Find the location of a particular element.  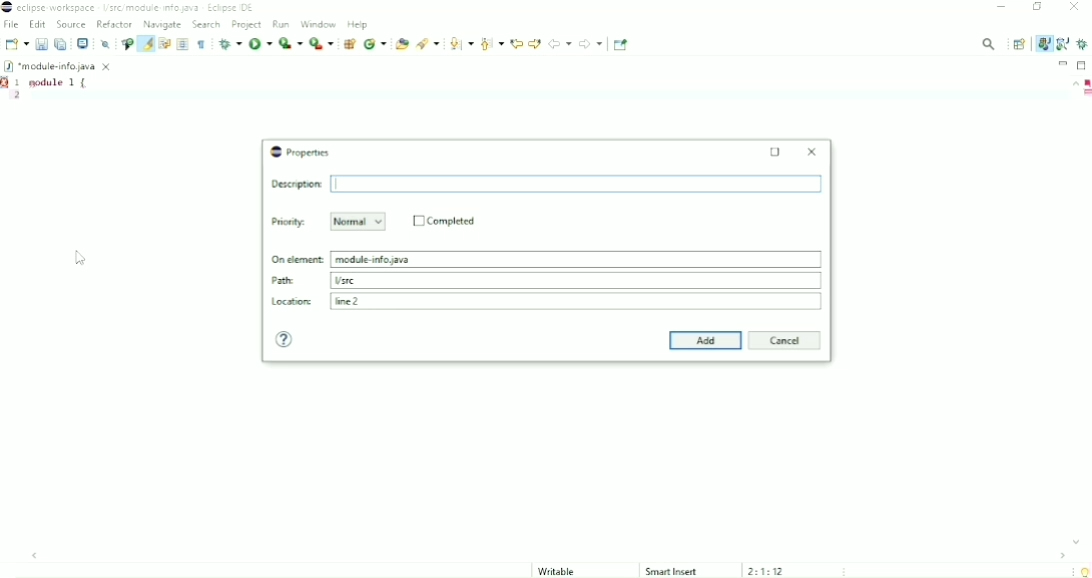

Toggle block selection mode is located at coordinates (183, 44).